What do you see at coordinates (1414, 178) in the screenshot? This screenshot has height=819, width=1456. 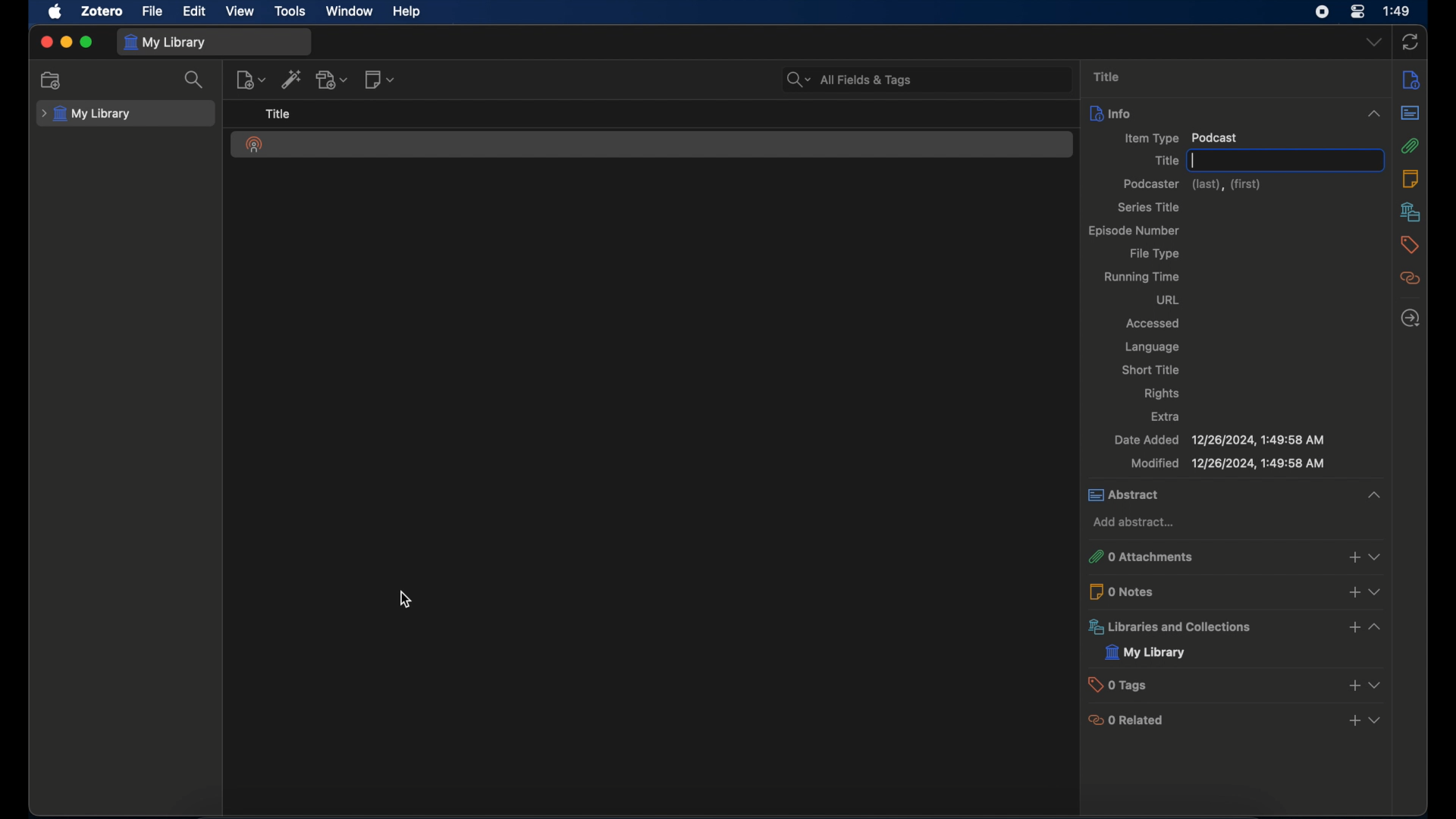 I see `notes` at bounding box center [1414, 178].